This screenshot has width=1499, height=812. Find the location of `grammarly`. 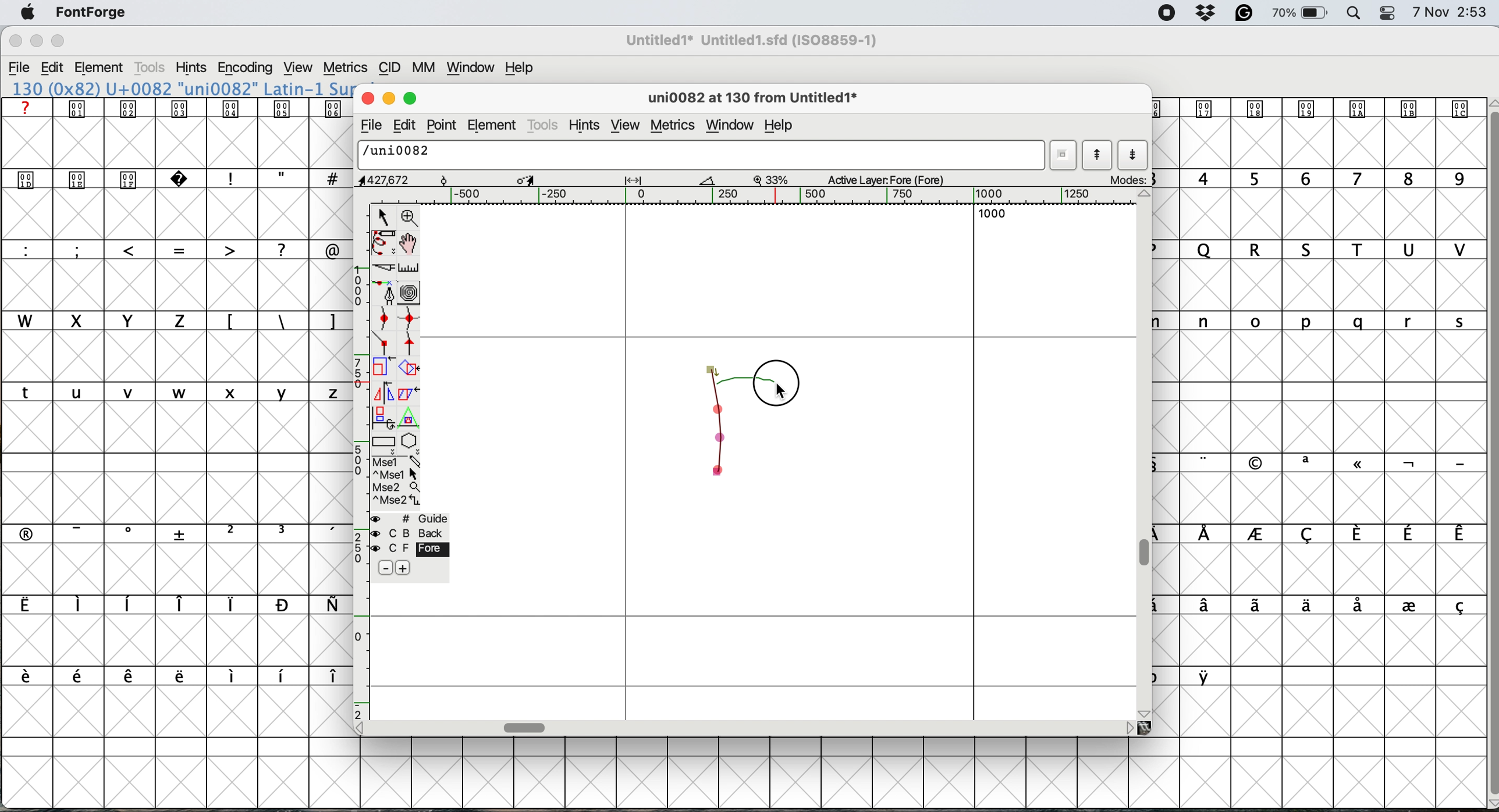

grammarly is located at coordinates (1244, 13).